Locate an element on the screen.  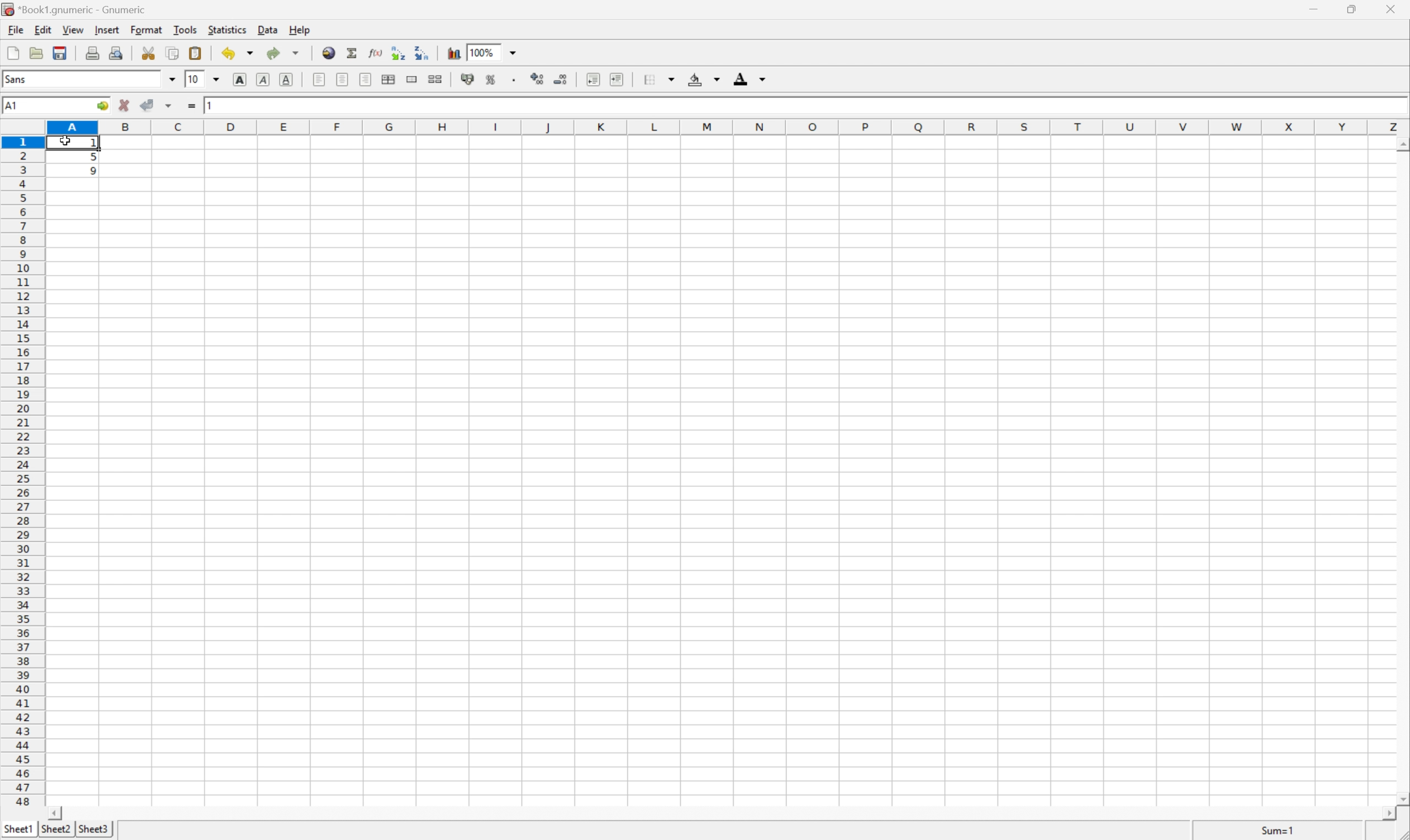
align right is located at coordinates (367, 79).